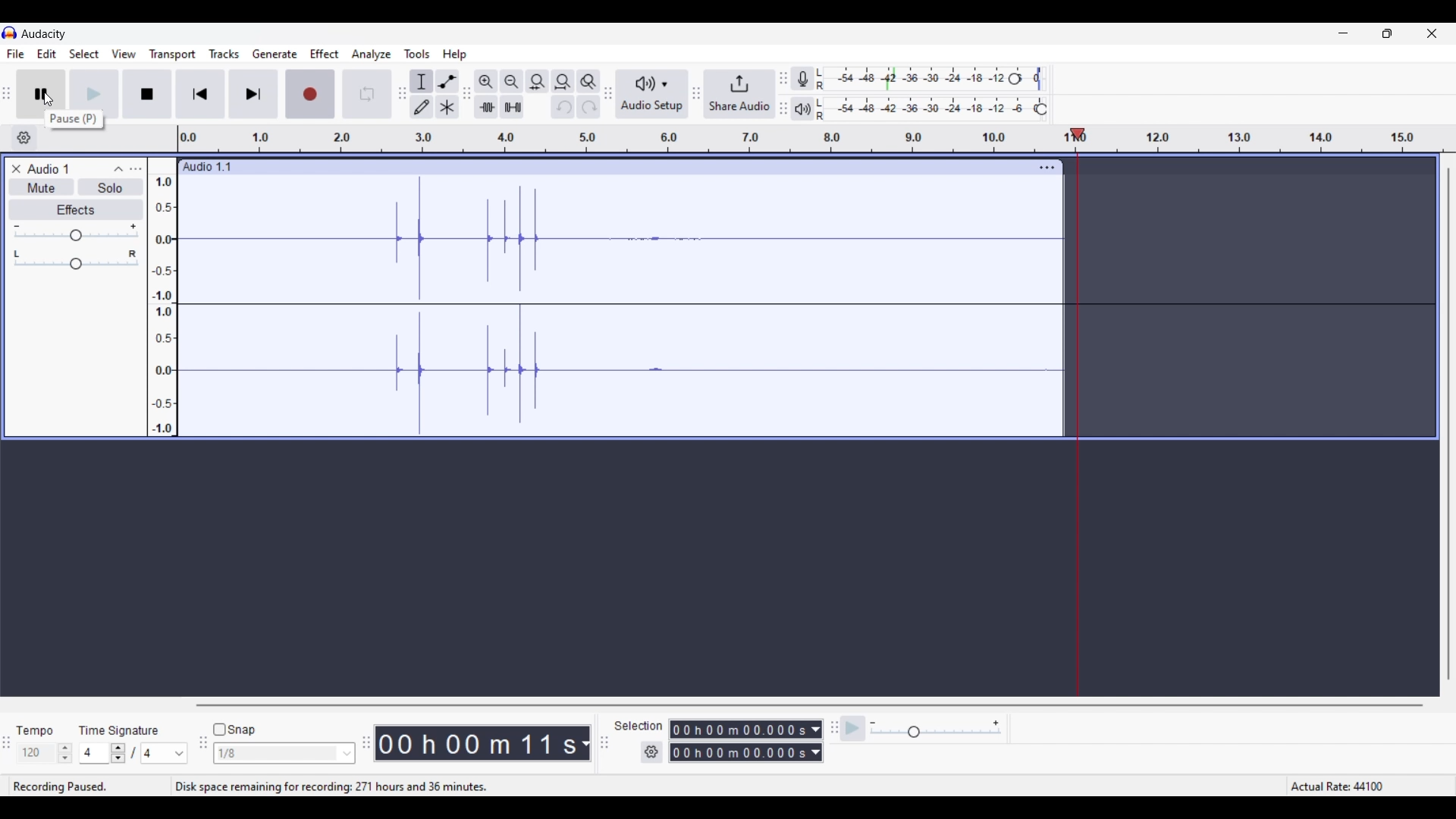 Image resolution: width=1456 pixels, height=819 pixels. I want to click on Close interface, so click(1432, 33).